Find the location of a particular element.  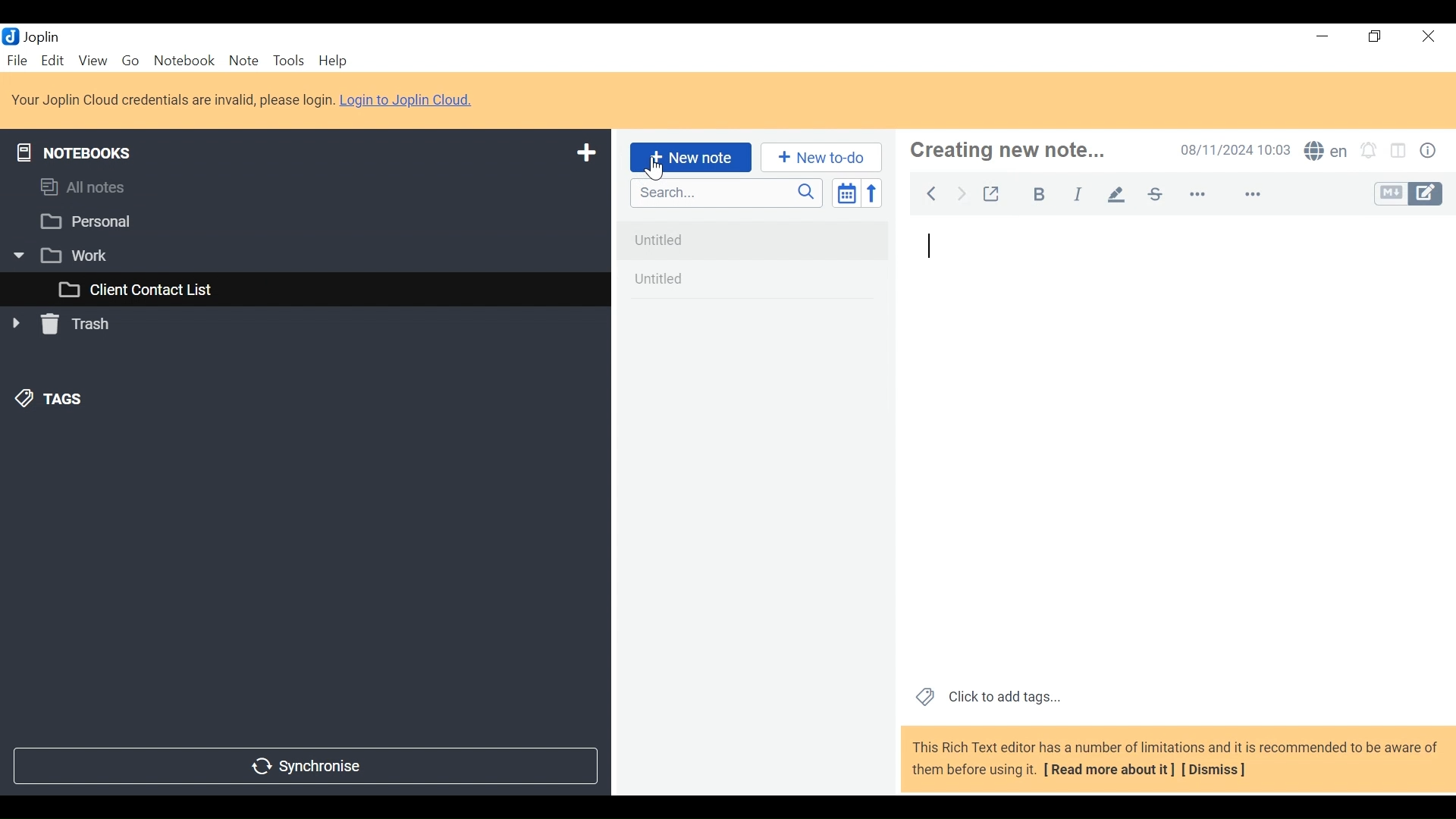

Close is located at coordinates (1431, 36).